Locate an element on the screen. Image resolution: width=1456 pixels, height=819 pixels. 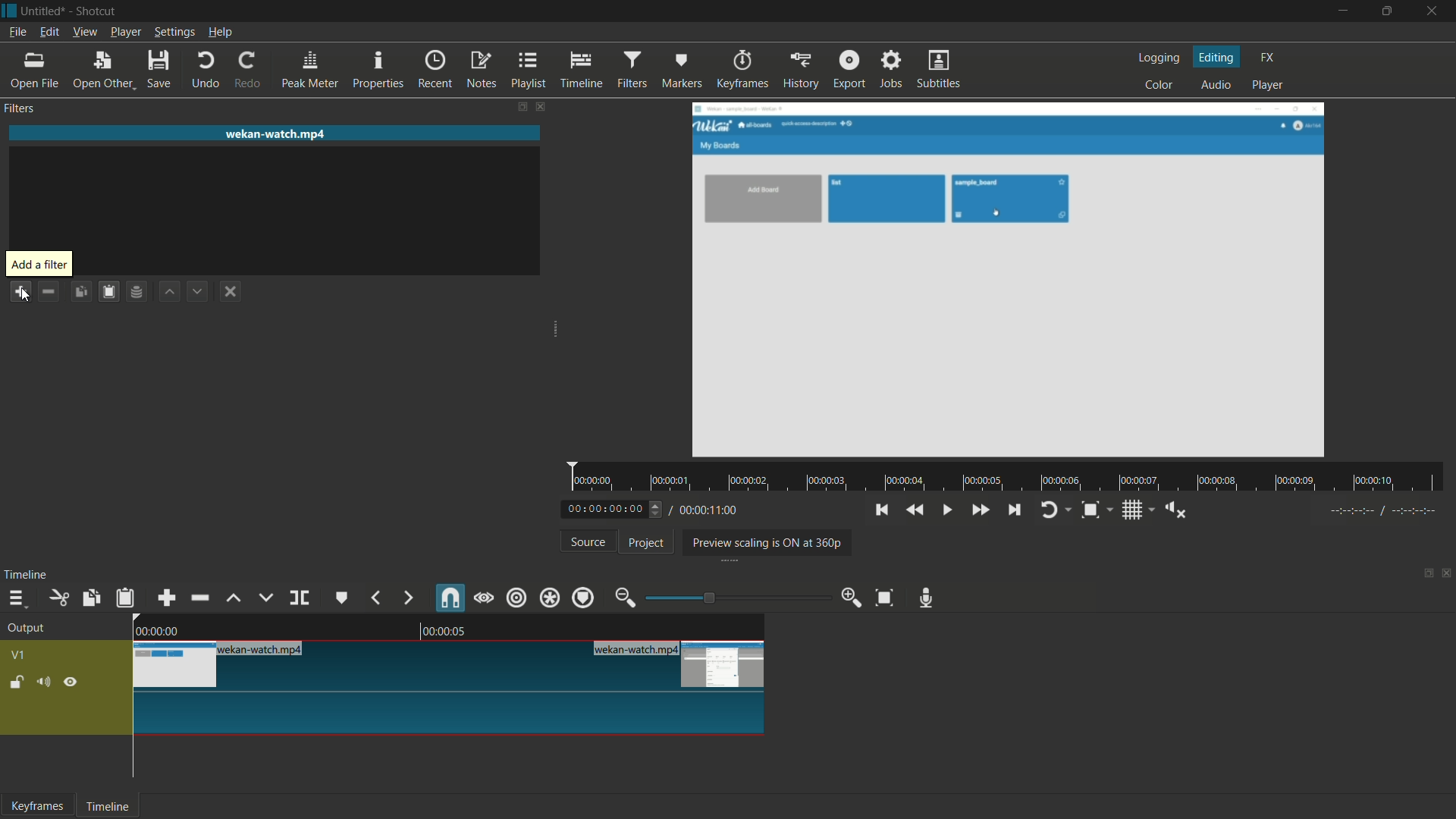
toggle grid is located at coordinates (1139, 510).